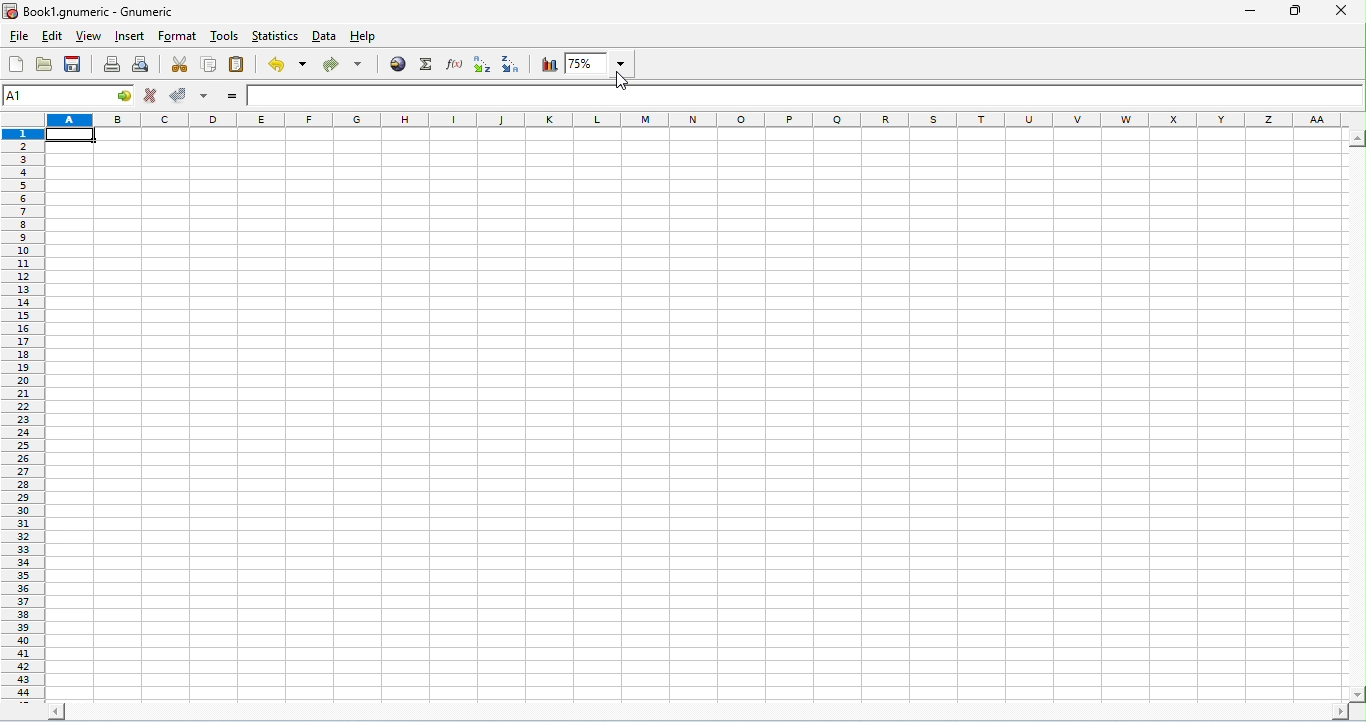  I want to click on insert, so click(131, 36).